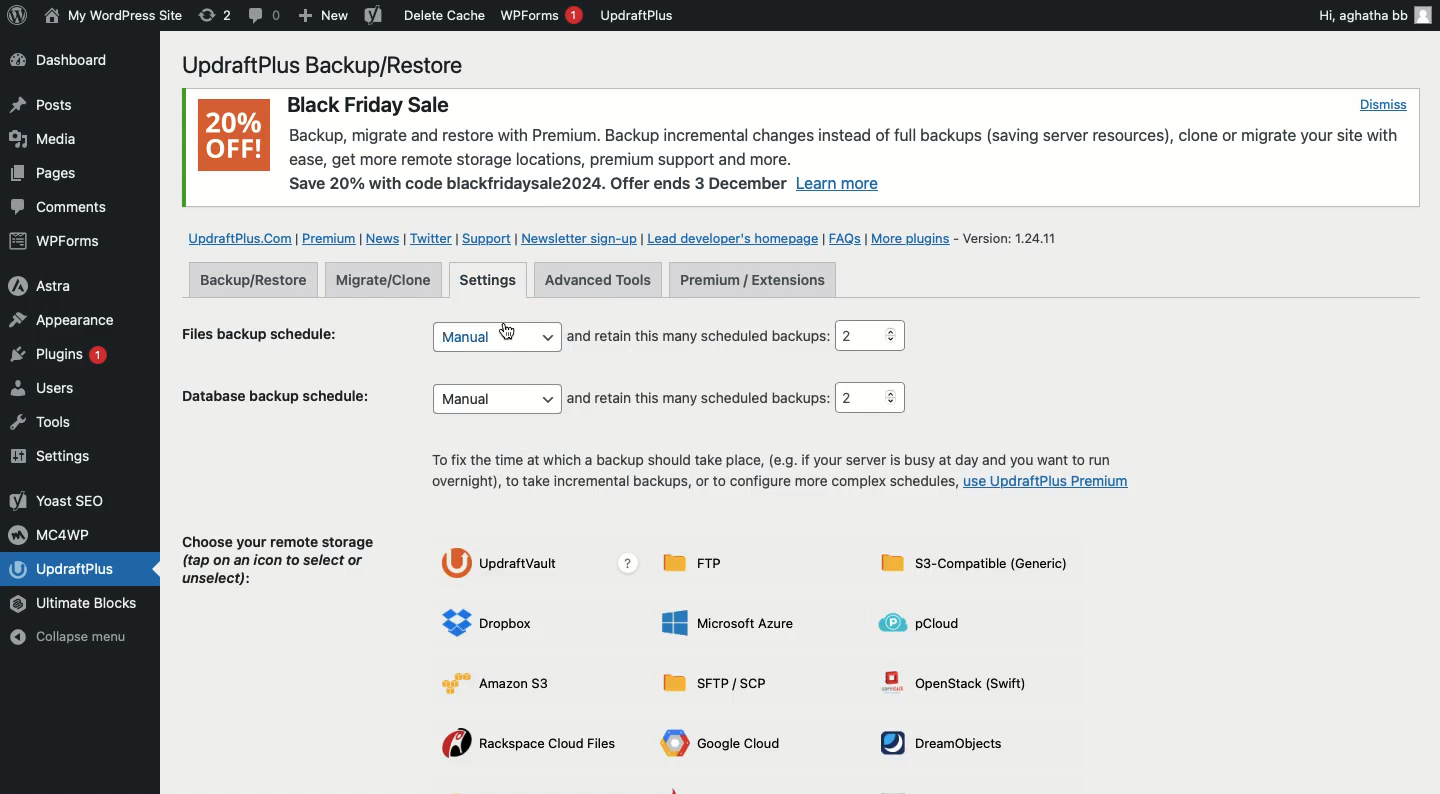  Describe the element at coordinates (46, 138) in the screenshot. I see `Media` at that location.